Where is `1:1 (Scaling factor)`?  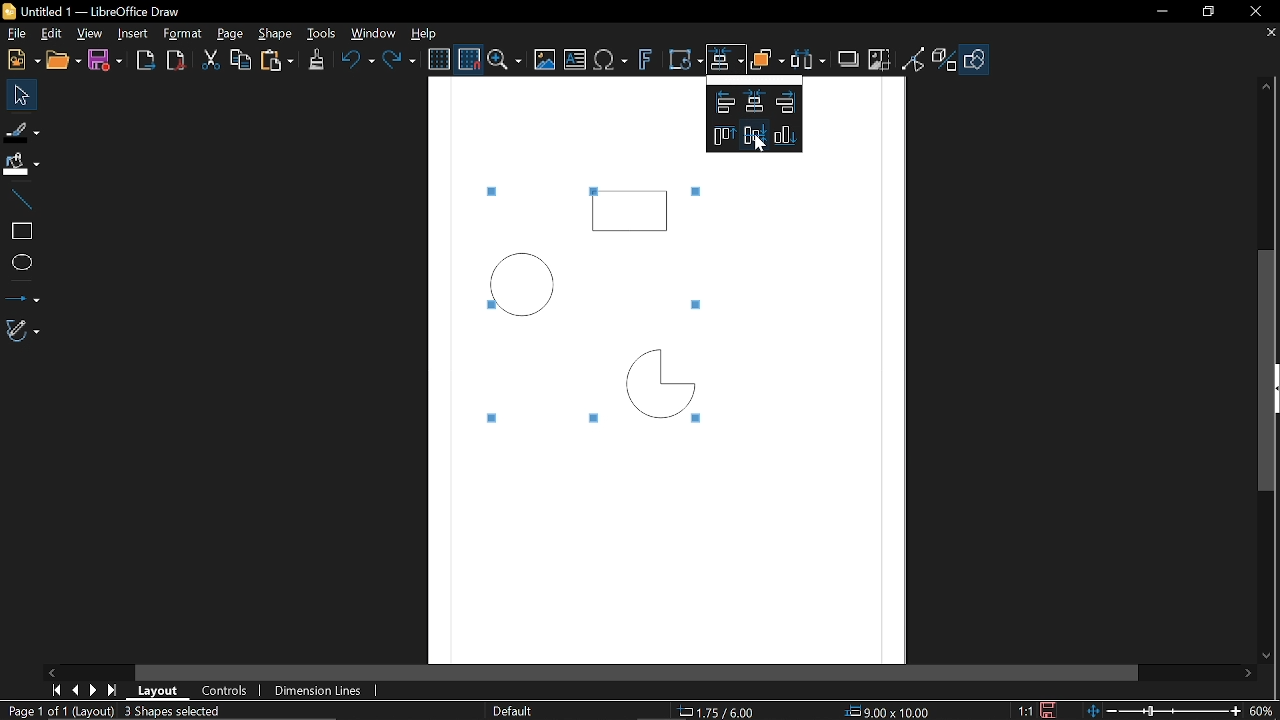
1:1 (Scaling factor) is located at coordinates (1026, 710).